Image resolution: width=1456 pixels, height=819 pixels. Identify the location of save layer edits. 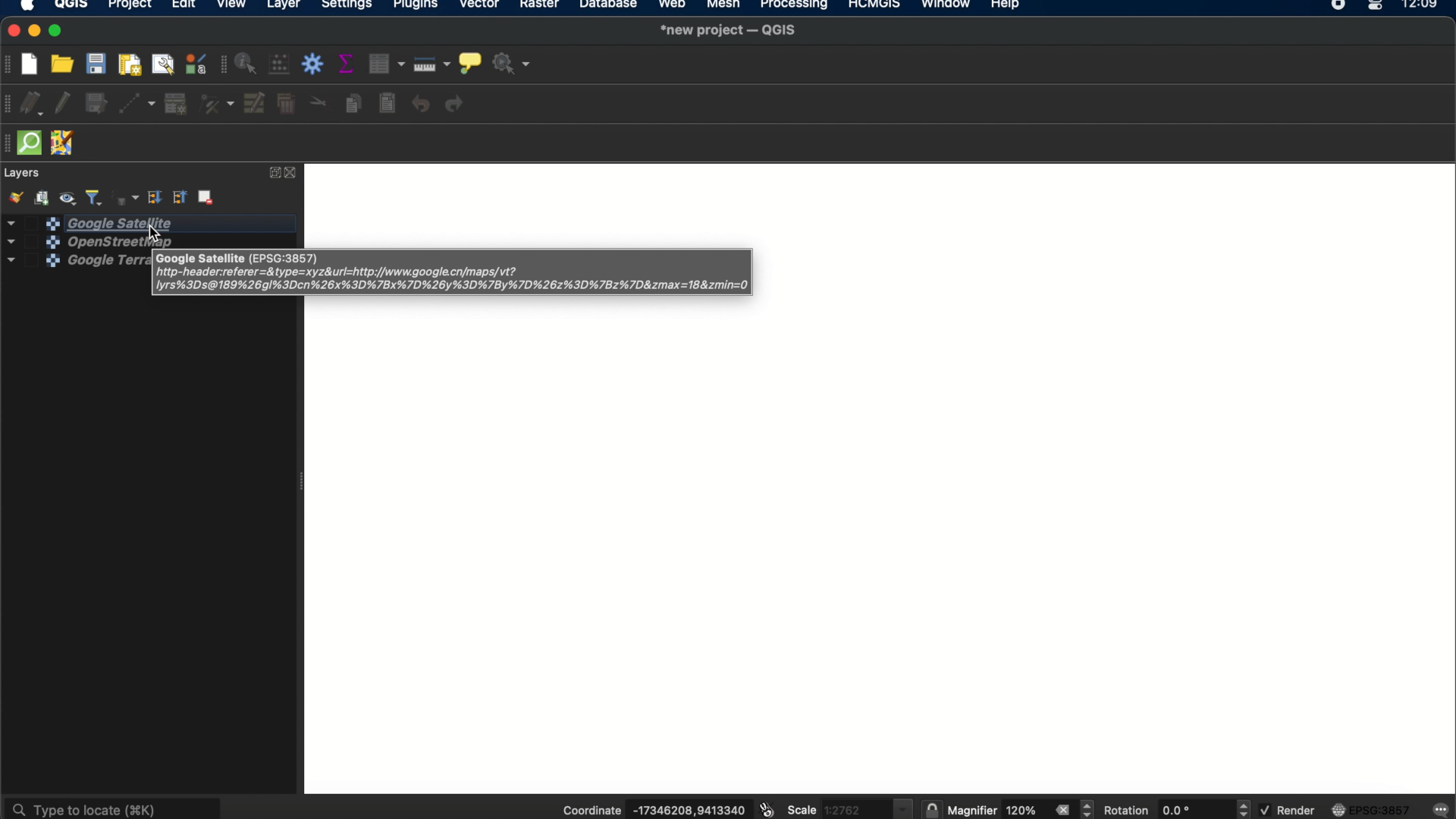
(97, 105).